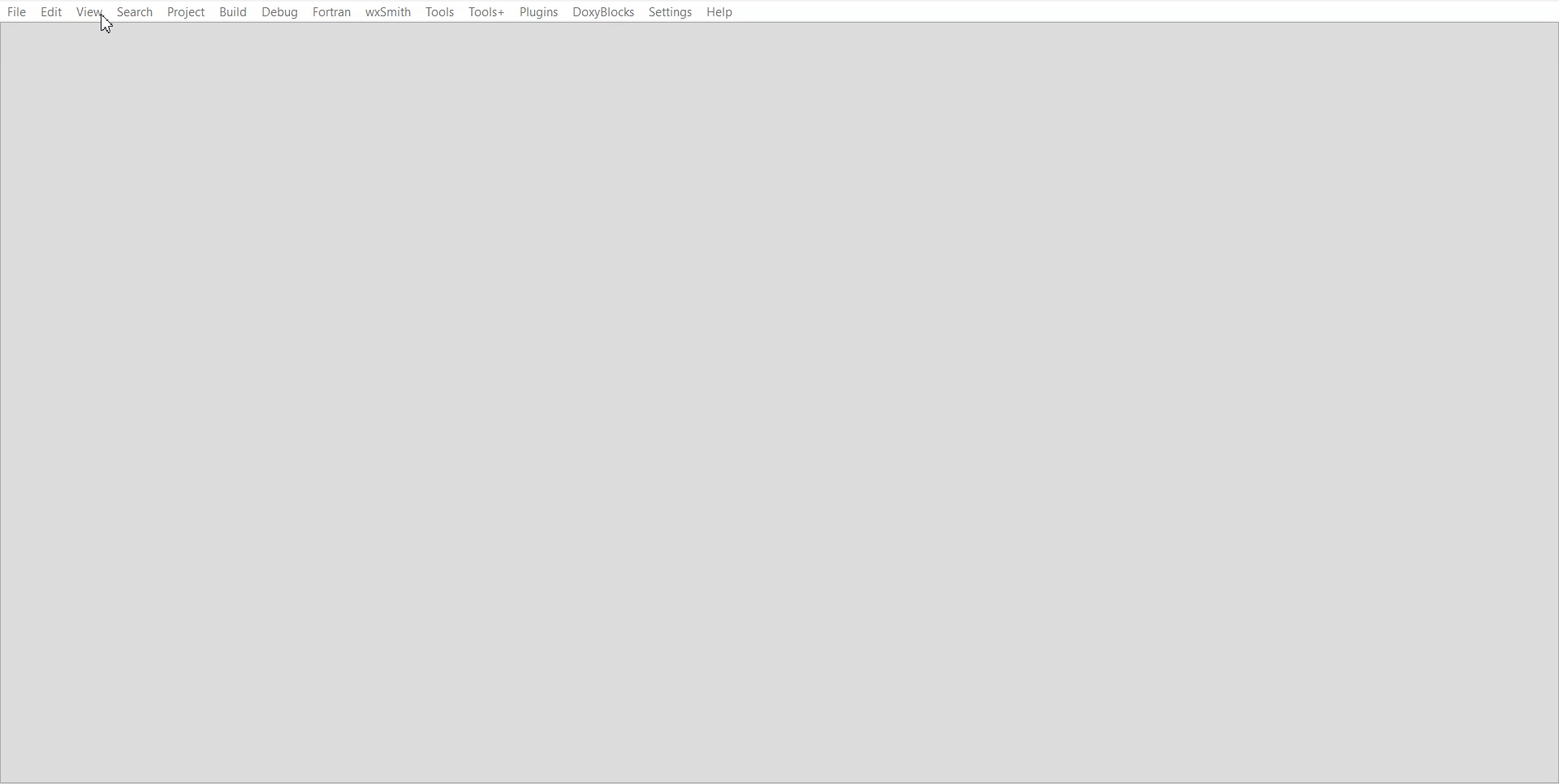  Describe the element at coordinates (107, 24) in the screenshot. I see `Cursor` at that location.